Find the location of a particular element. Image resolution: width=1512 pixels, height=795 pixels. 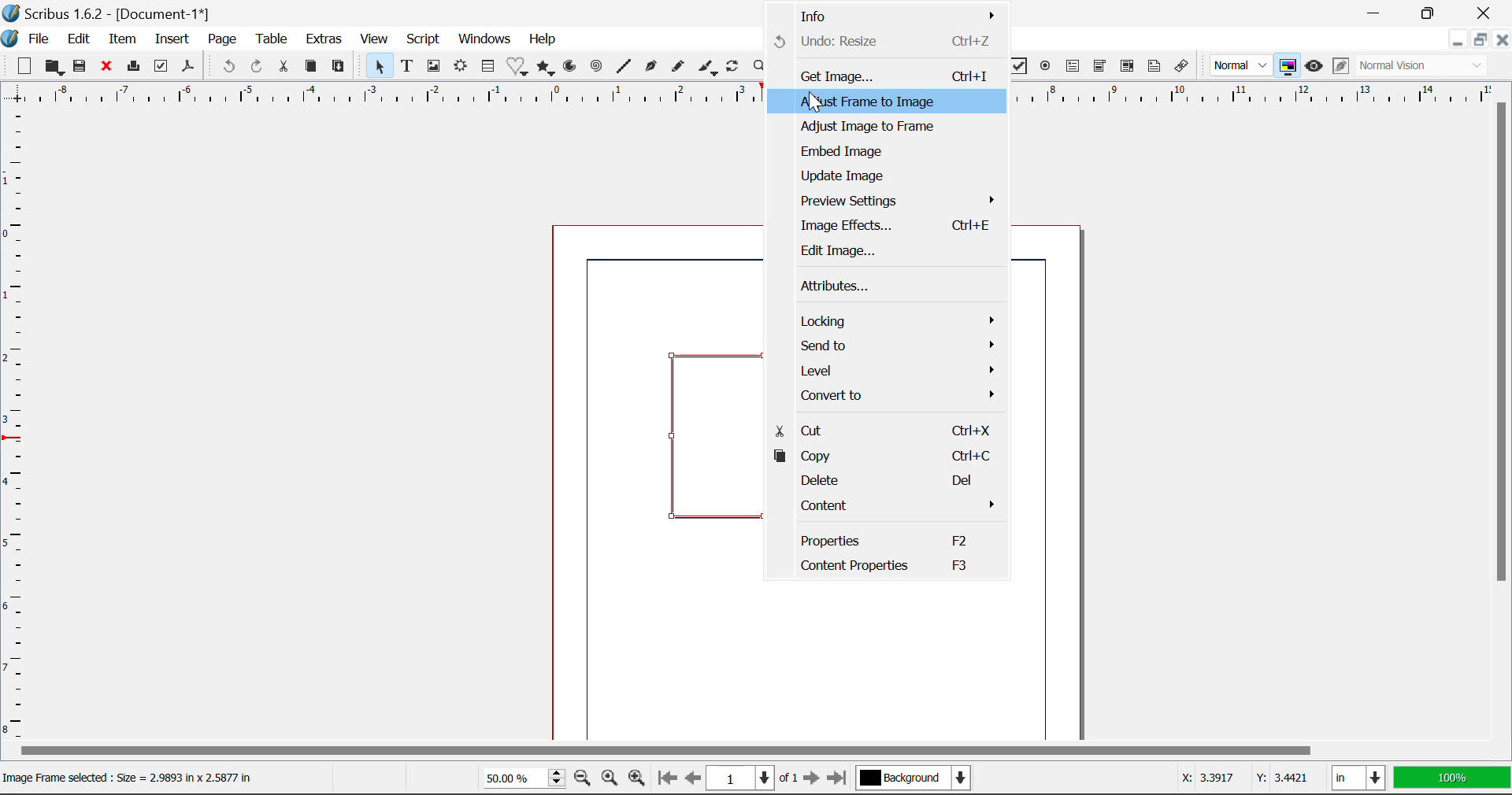

Open is located at coordinates (54, 68).